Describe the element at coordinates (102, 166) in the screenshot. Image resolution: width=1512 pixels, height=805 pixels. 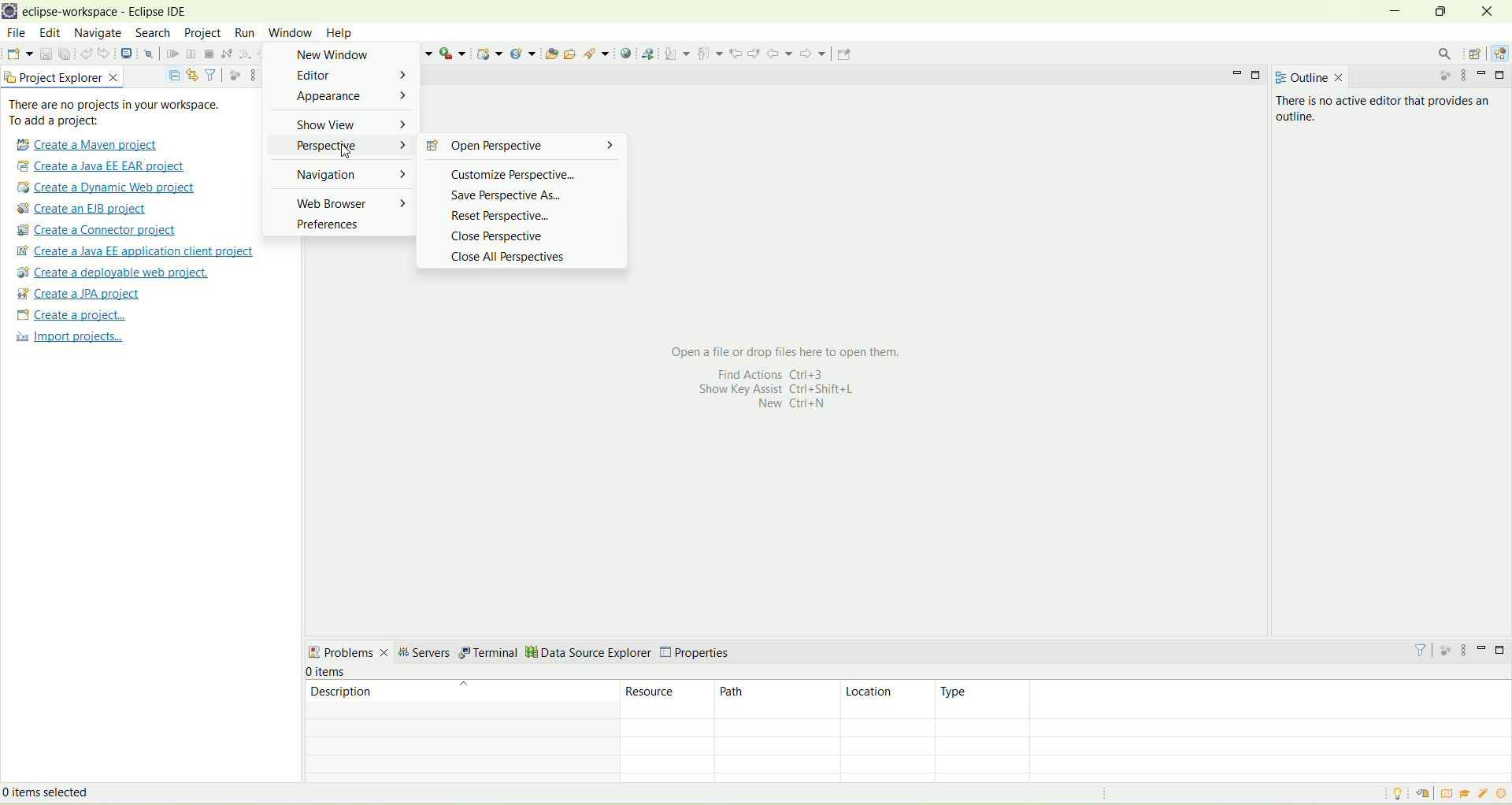
I see `create a Java EE EAR project` at that location.